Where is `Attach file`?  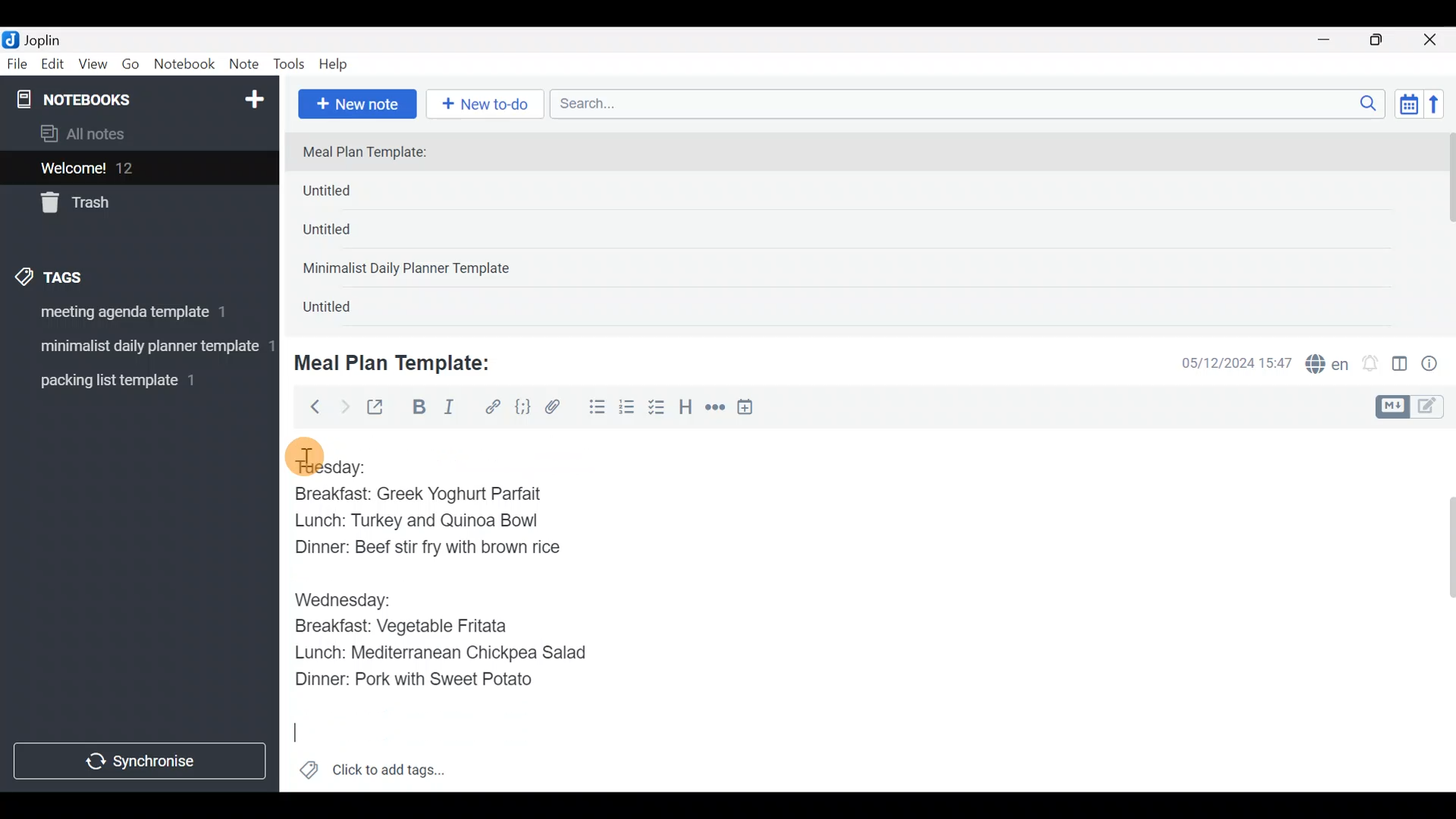
Attach file is located at coordinates (557, 409).